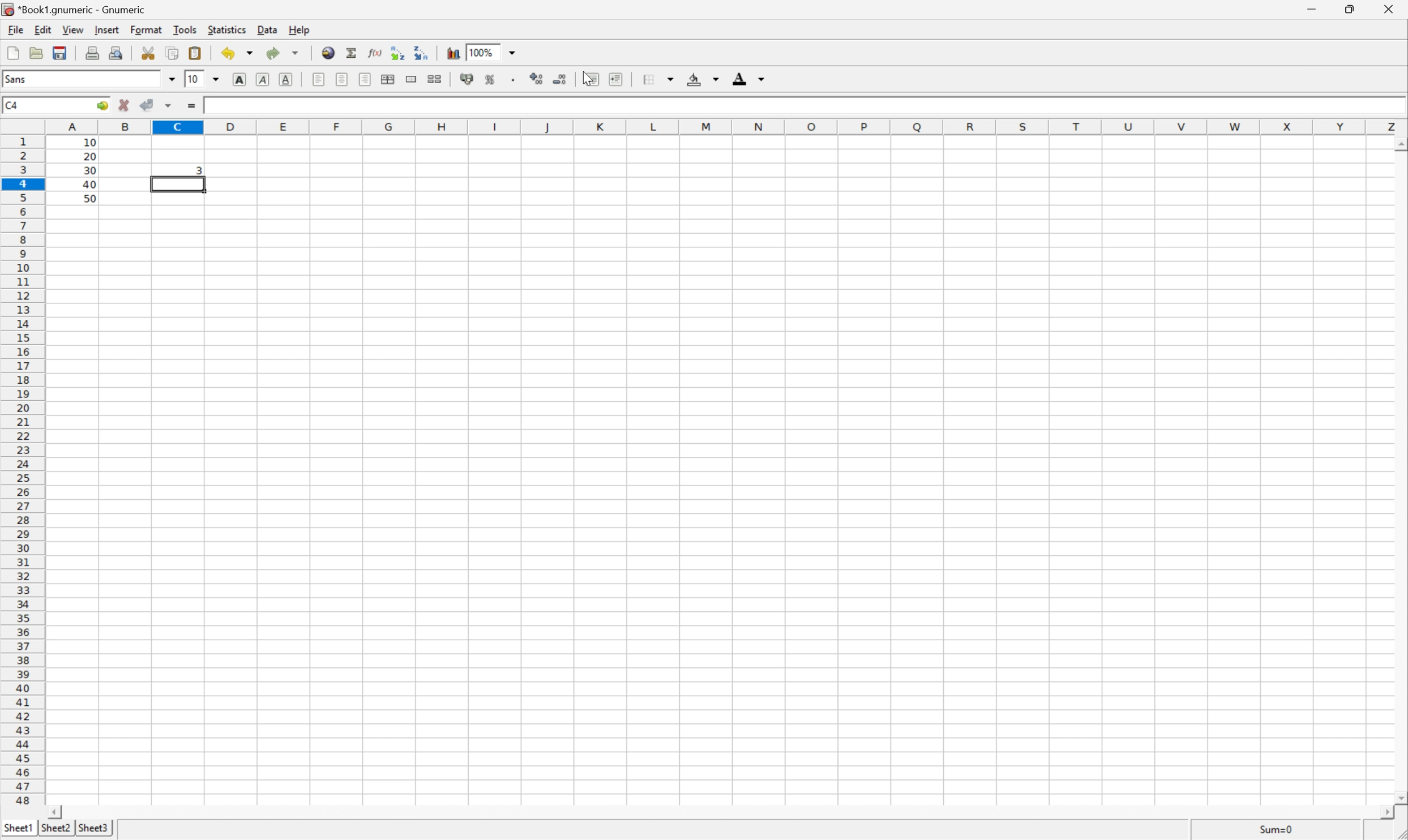 This screenshot has height=840, width=1408. I want to click on center horizontally, so click(341, 78).